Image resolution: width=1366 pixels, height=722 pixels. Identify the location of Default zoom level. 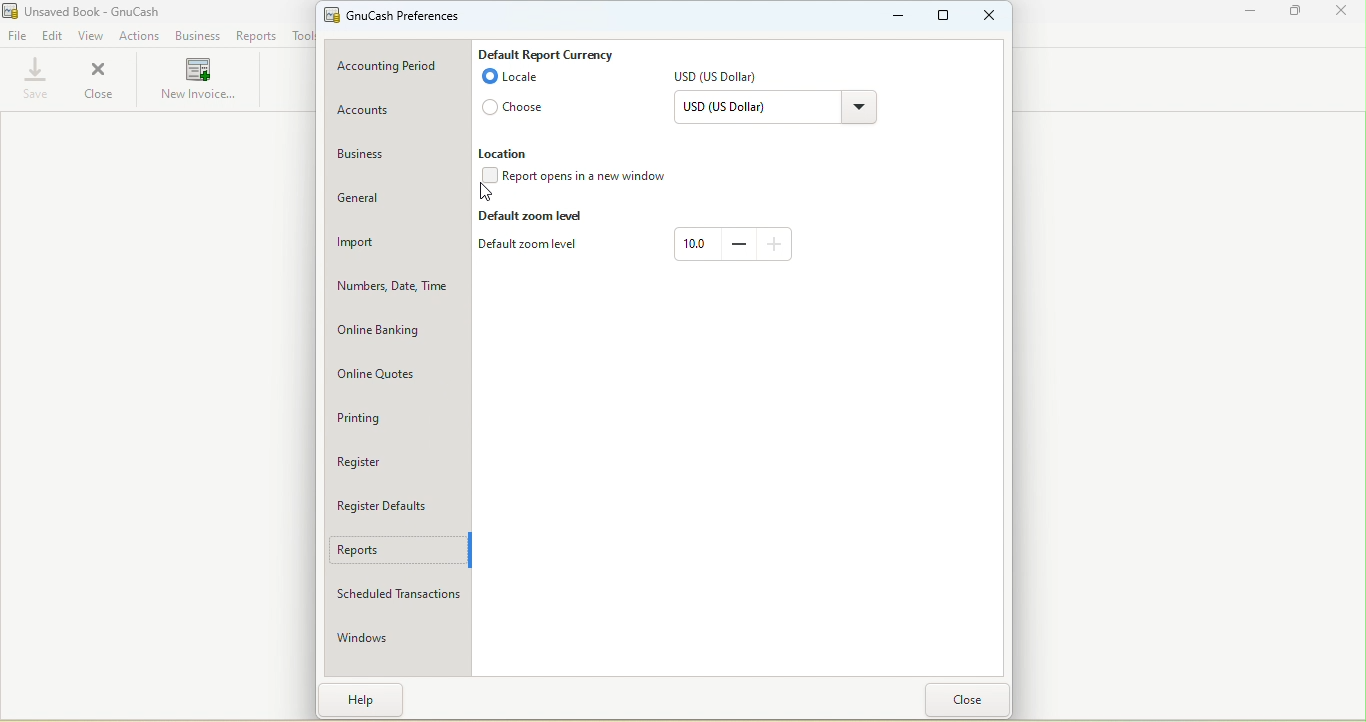
(534, 217).